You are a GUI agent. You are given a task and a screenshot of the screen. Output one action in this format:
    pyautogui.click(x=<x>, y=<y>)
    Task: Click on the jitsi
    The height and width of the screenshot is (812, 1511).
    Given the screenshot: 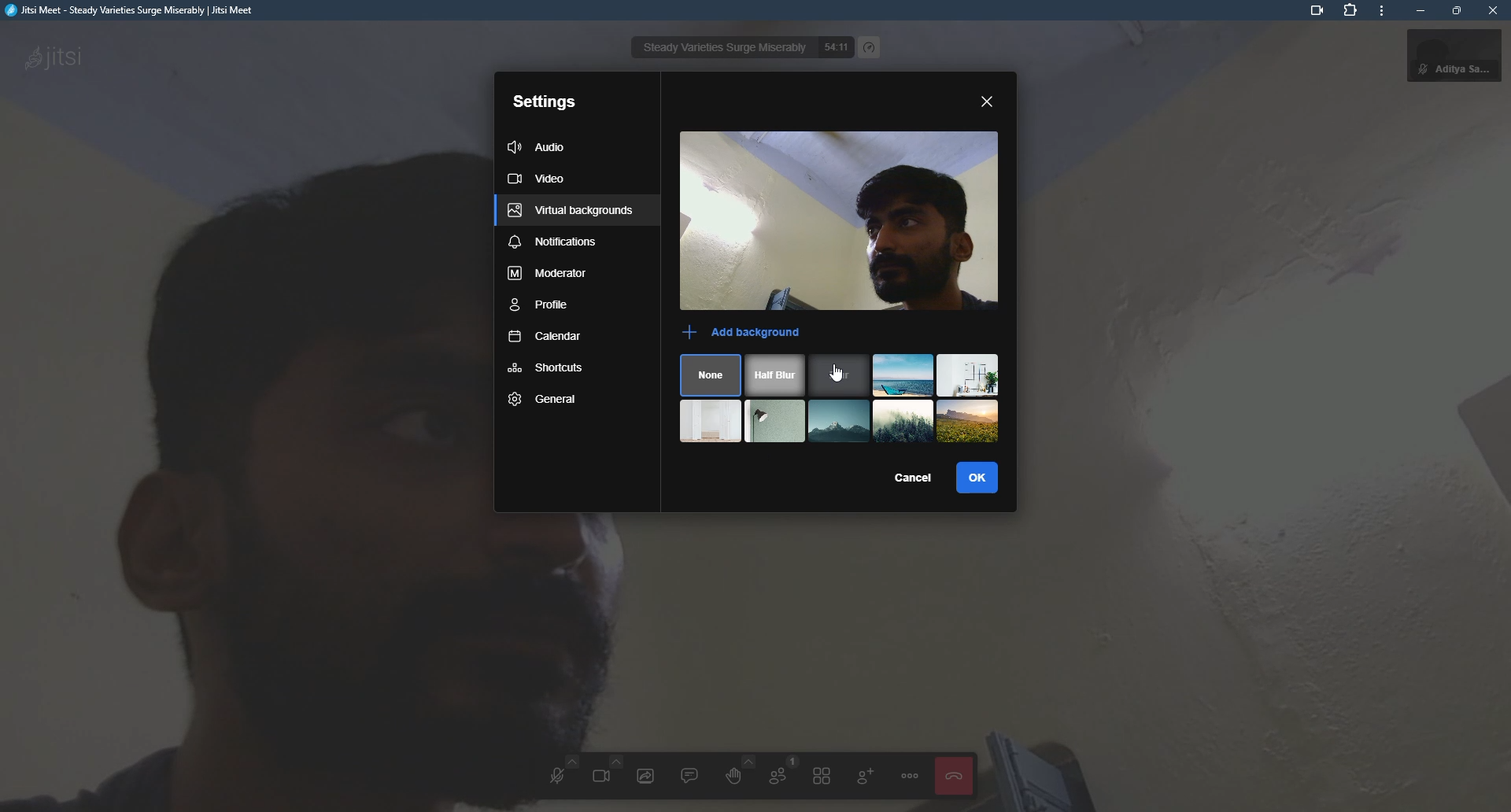 What is the action you would take?
    pyautogui.click(x=52, y=55)
    